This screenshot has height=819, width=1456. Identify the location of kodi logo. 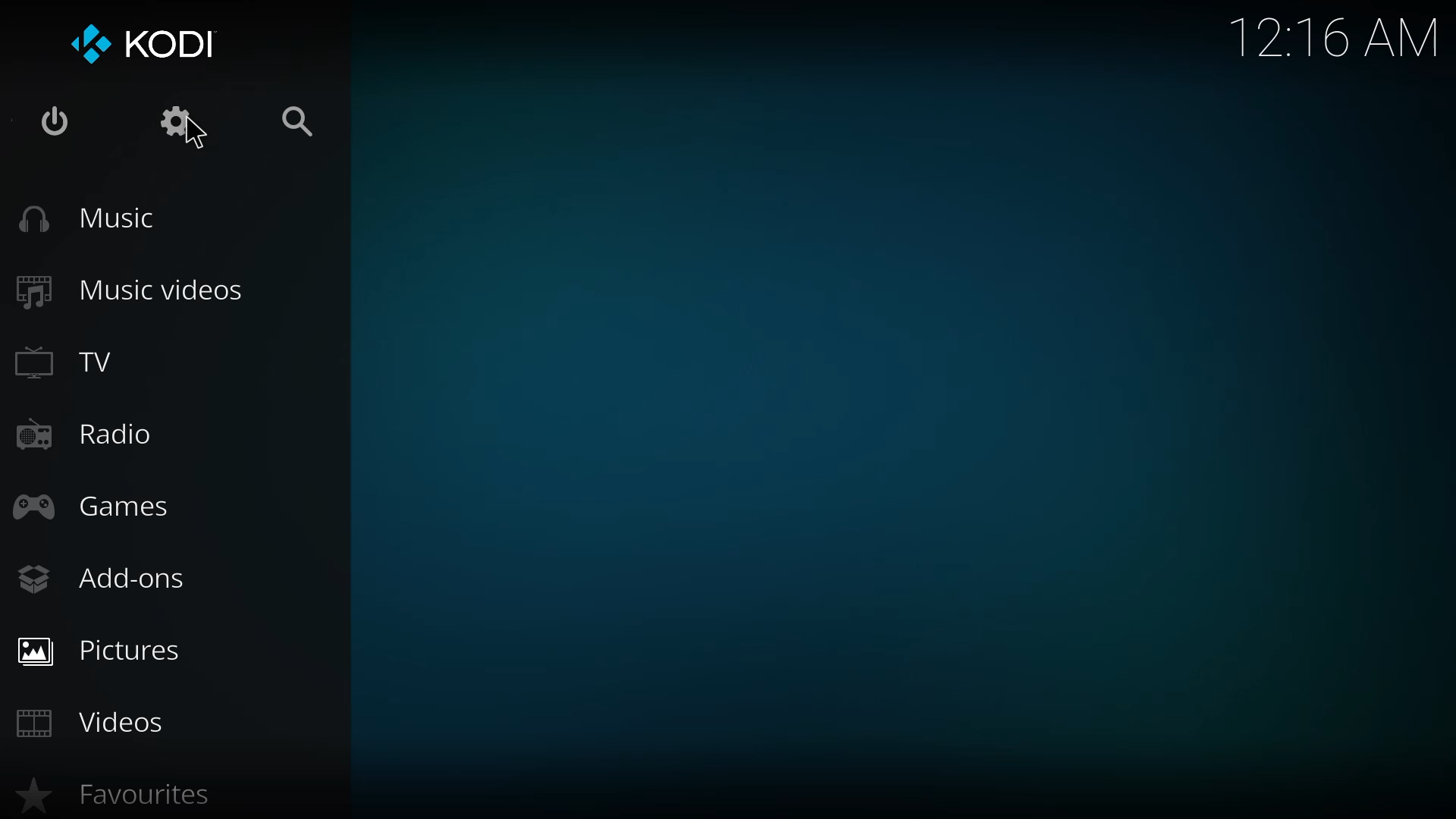
(87, 45).